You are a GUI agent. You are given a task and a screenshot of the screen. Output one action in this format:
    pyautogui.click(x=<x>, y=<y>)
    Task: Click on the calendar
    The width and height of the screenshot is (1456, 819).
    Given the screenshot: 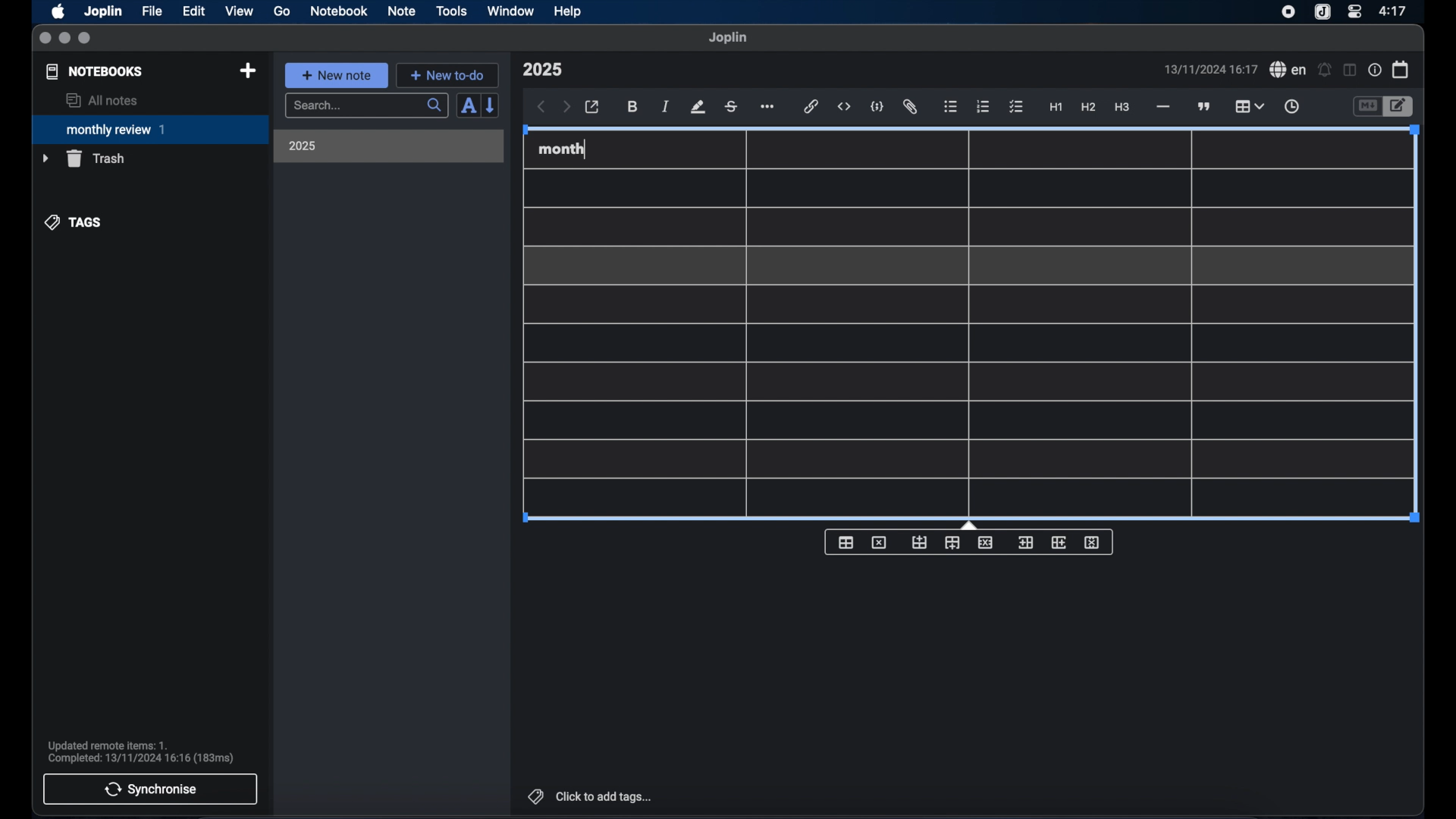 What is the action you would take?
    pyautogui.click(x=1401, y=69)
    